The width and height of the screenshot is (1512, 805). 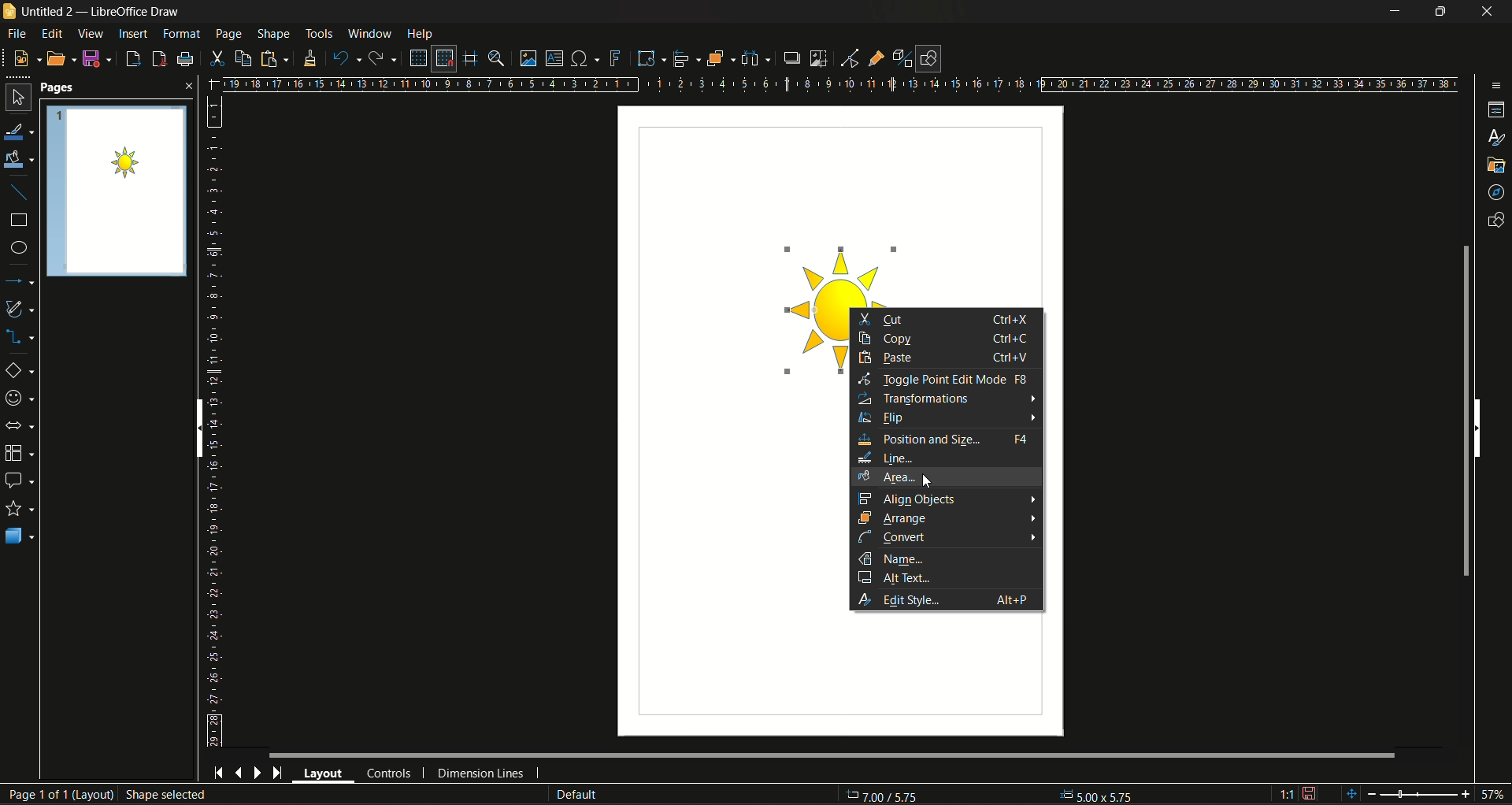 What do you see at coordinates (1010, 358) in the screenshot?
I see `ctrl+V` at bounding box center [1010, 358].